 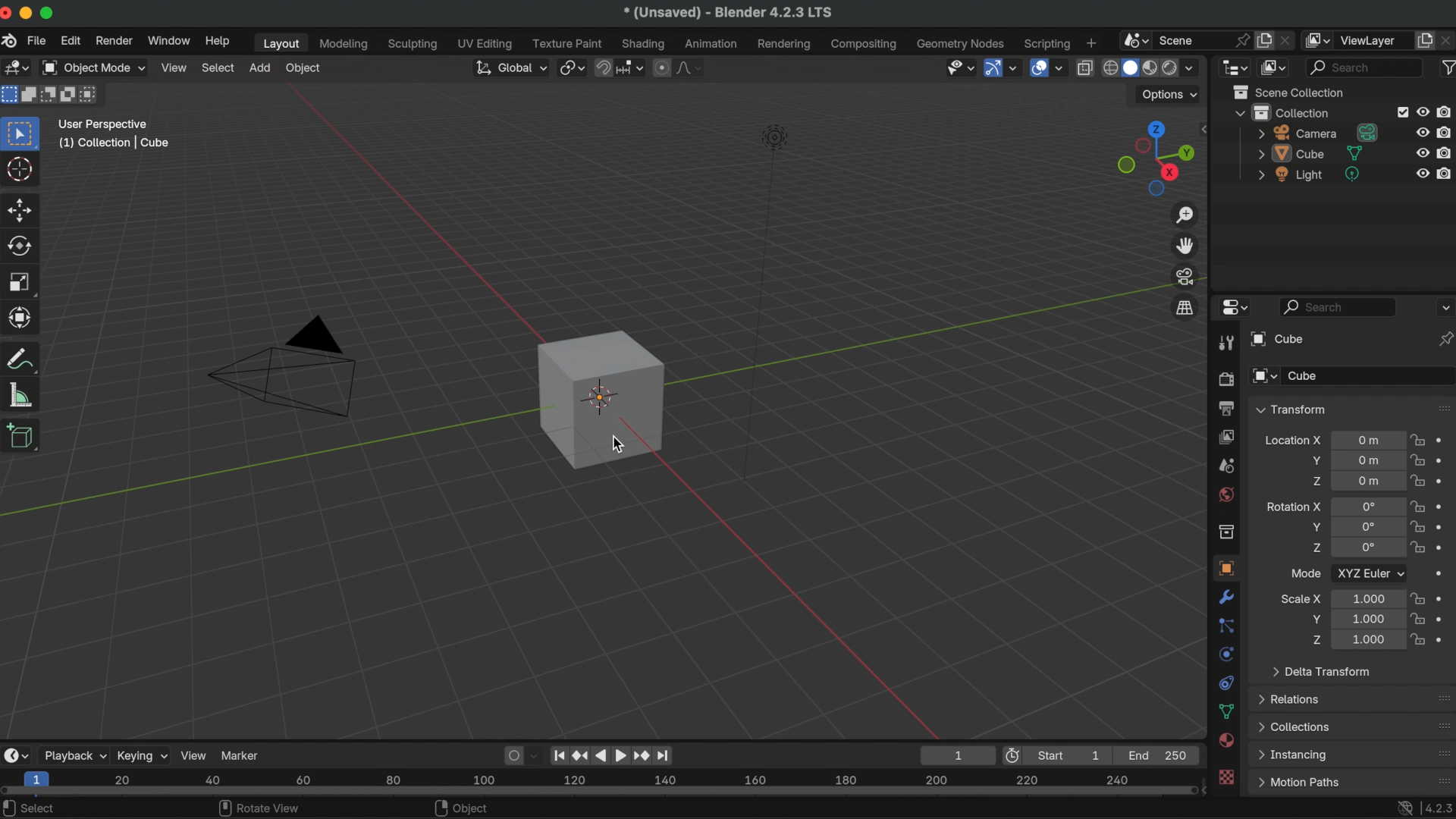 What do you see at coordinates (1418, 481) in the screenshot?
I see `lock location` at bounding box center [1418, 481].